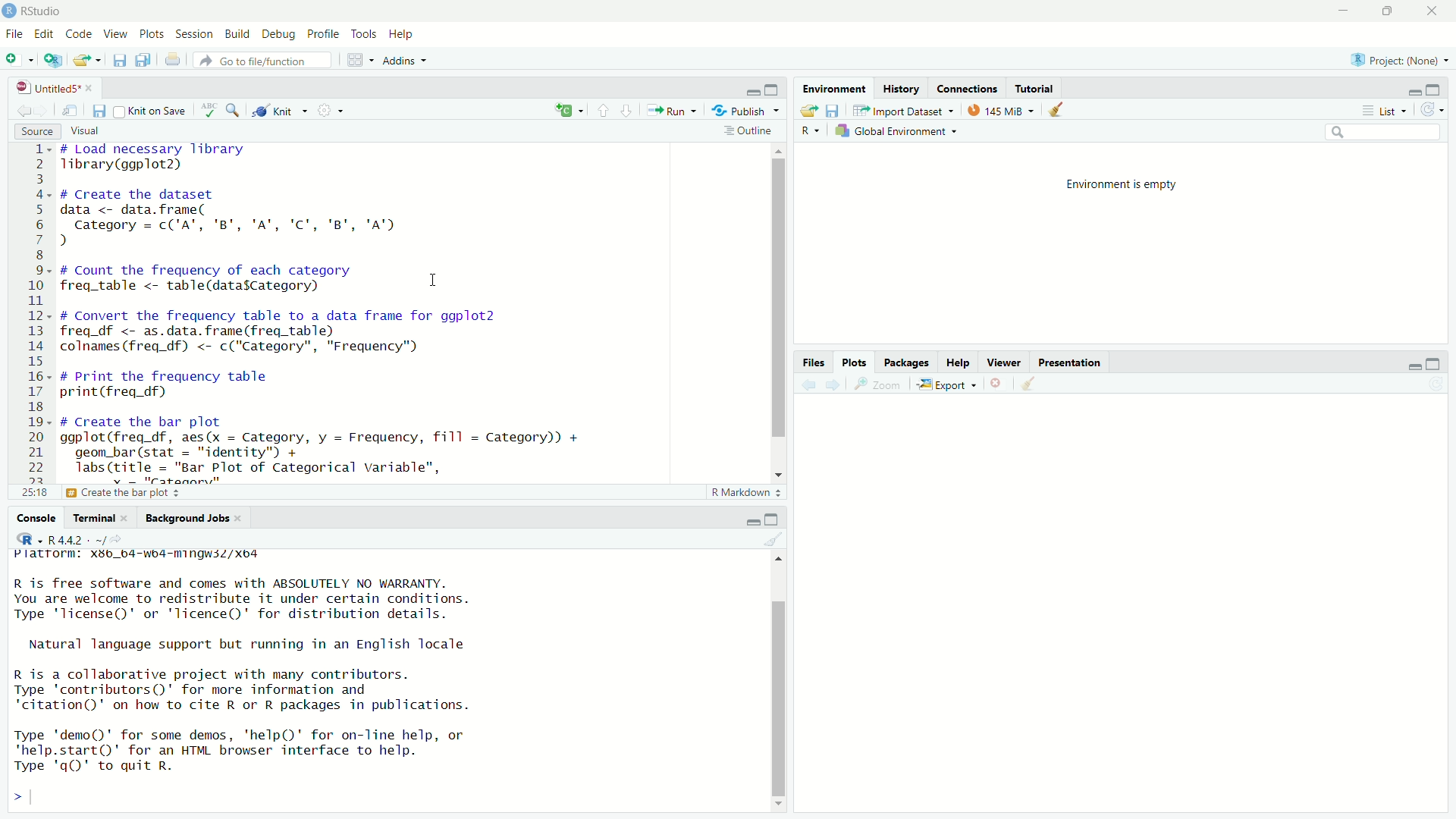  What do you see at coordinates (903, 89) in the screenshot?
I see `history` at bounding box center [903, 89].